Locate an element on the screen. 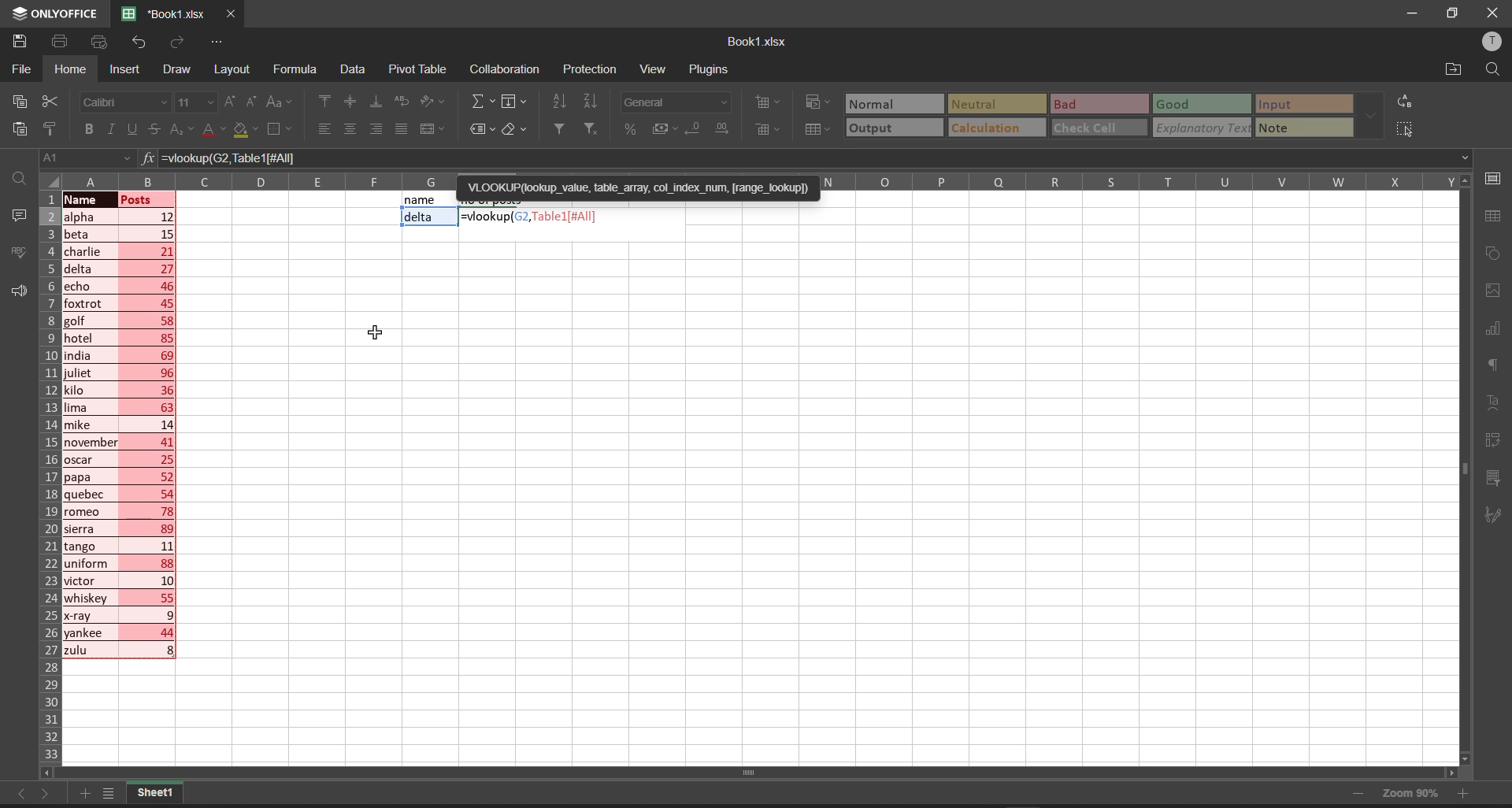  data is located at coordinates (353, 69).